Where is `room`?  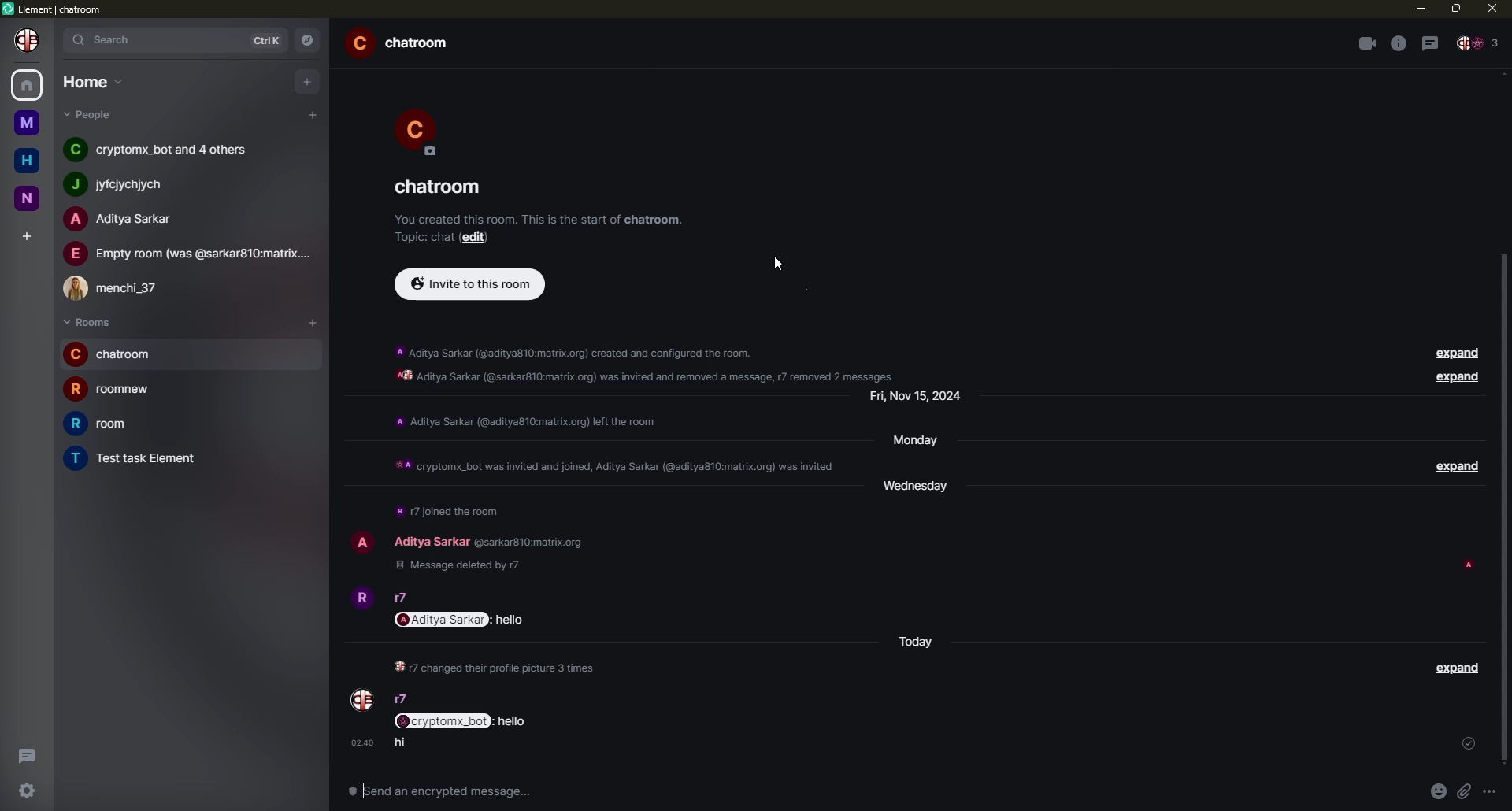
room is located at coordinates (102, 423).